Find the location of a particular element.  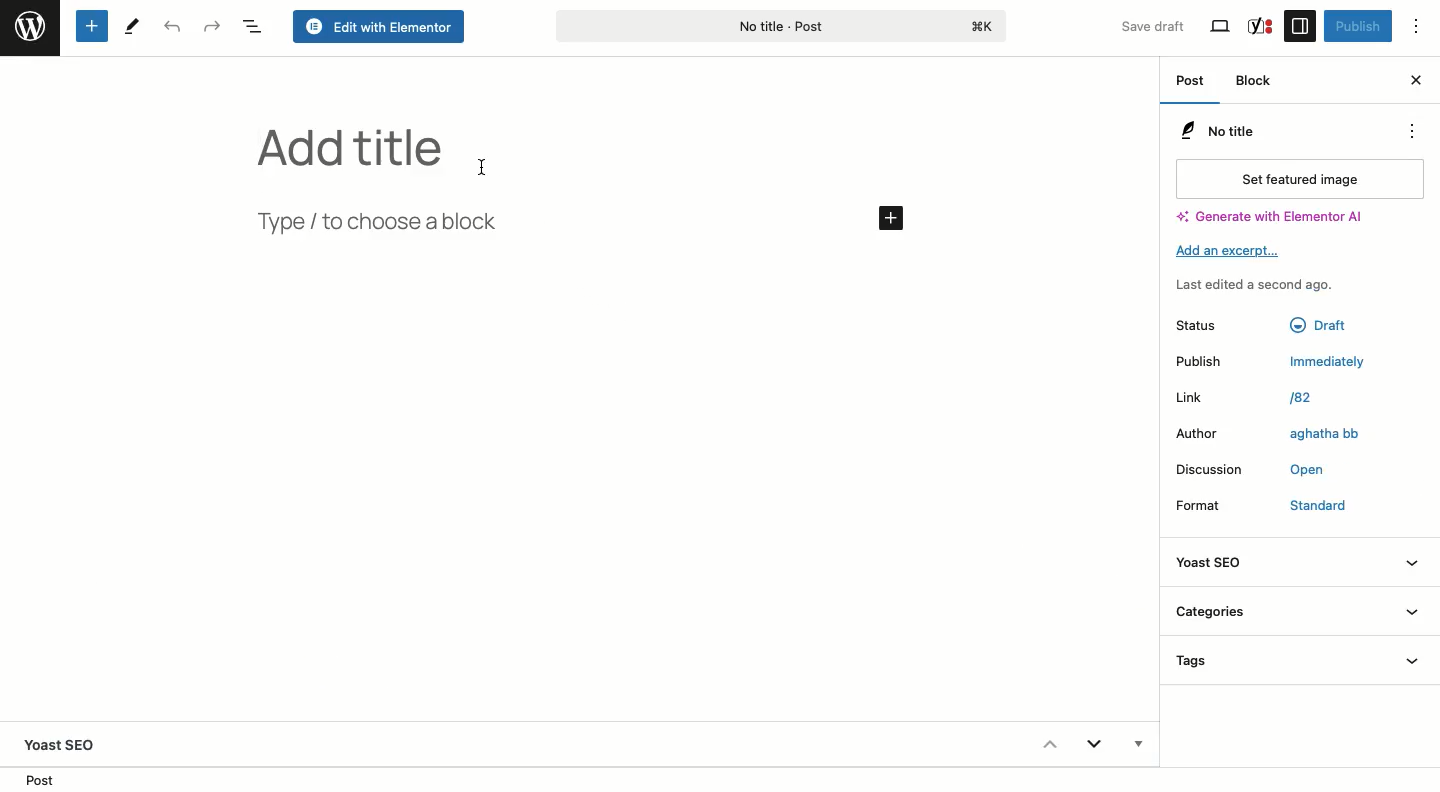

No Title is located at coordinates (1214, 130).